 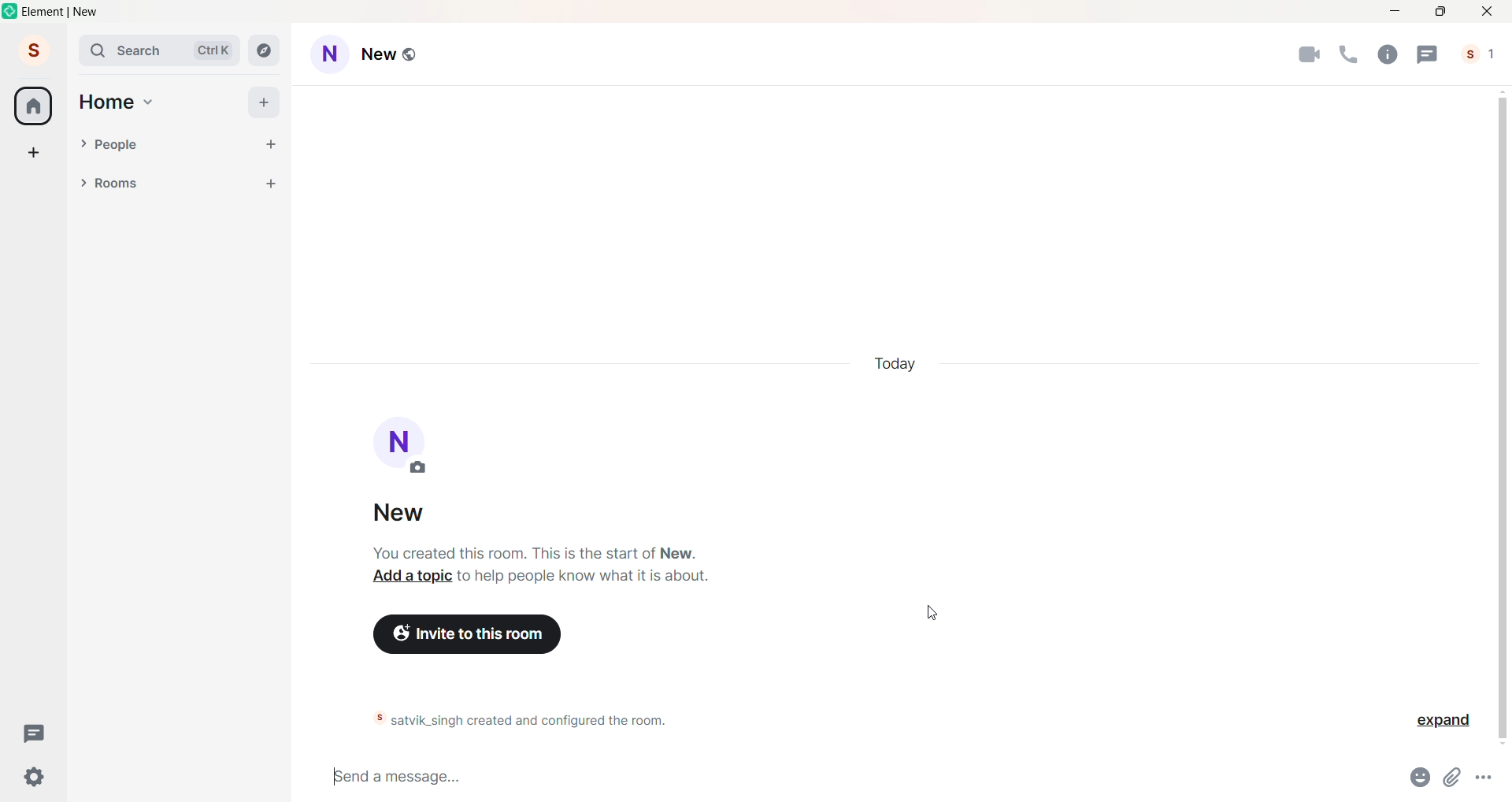 What do you see at coordinates (34, 152) in the screenshot?
I see `Create a Space` at bounding box center [34, 152].